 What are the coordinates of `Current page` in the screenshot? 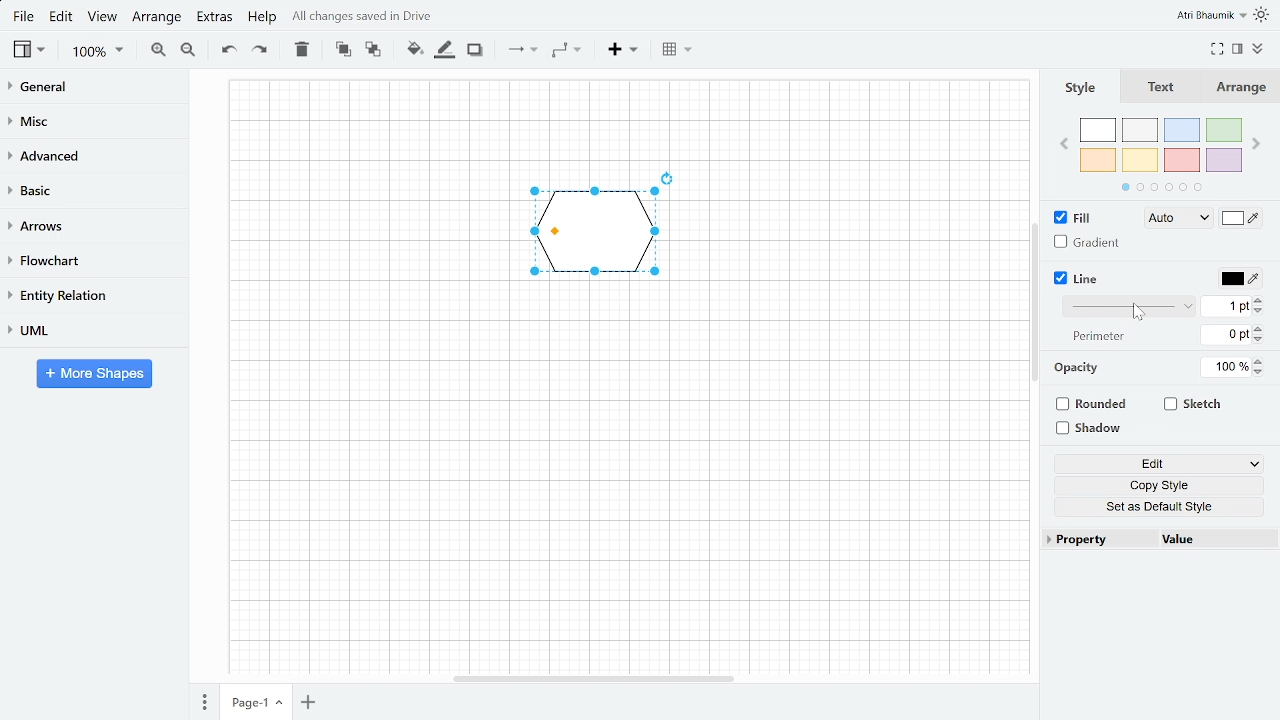 It's located at (255, 703).